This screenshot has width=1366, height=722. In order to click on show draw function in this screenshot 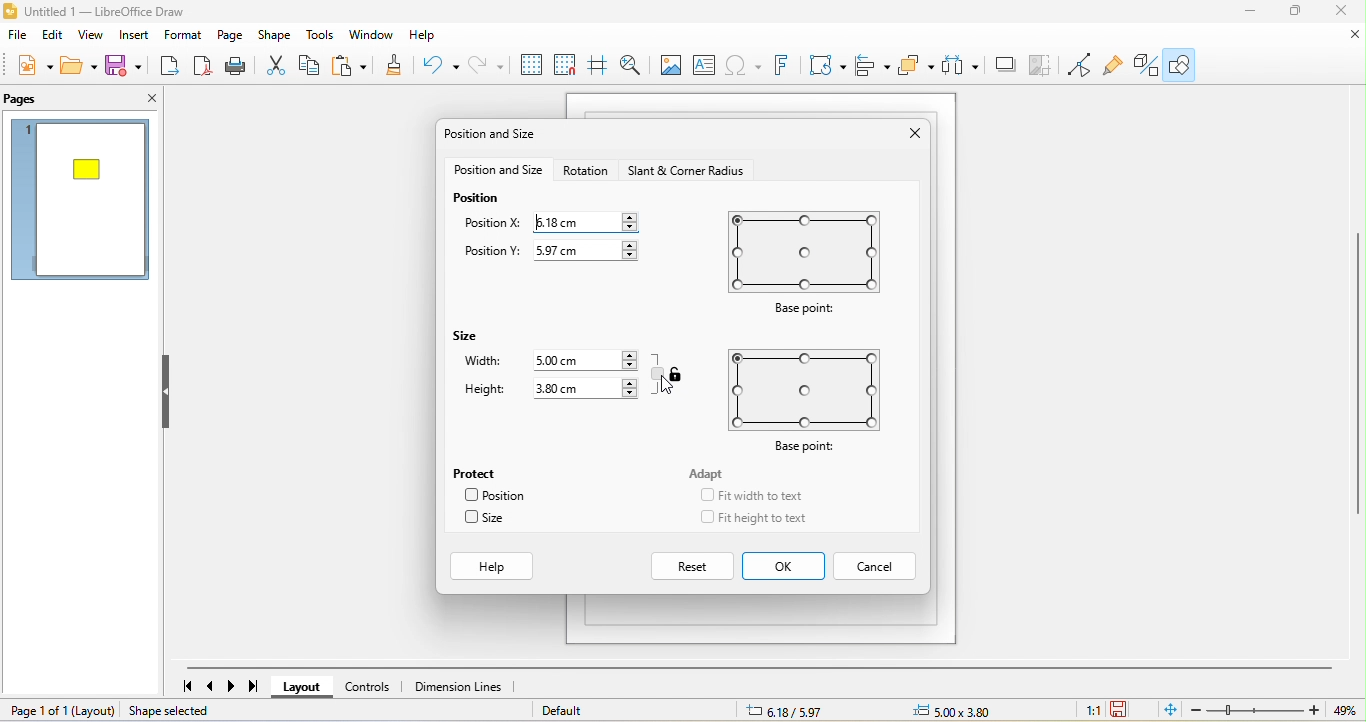, I will do `click(1183, 66)`.